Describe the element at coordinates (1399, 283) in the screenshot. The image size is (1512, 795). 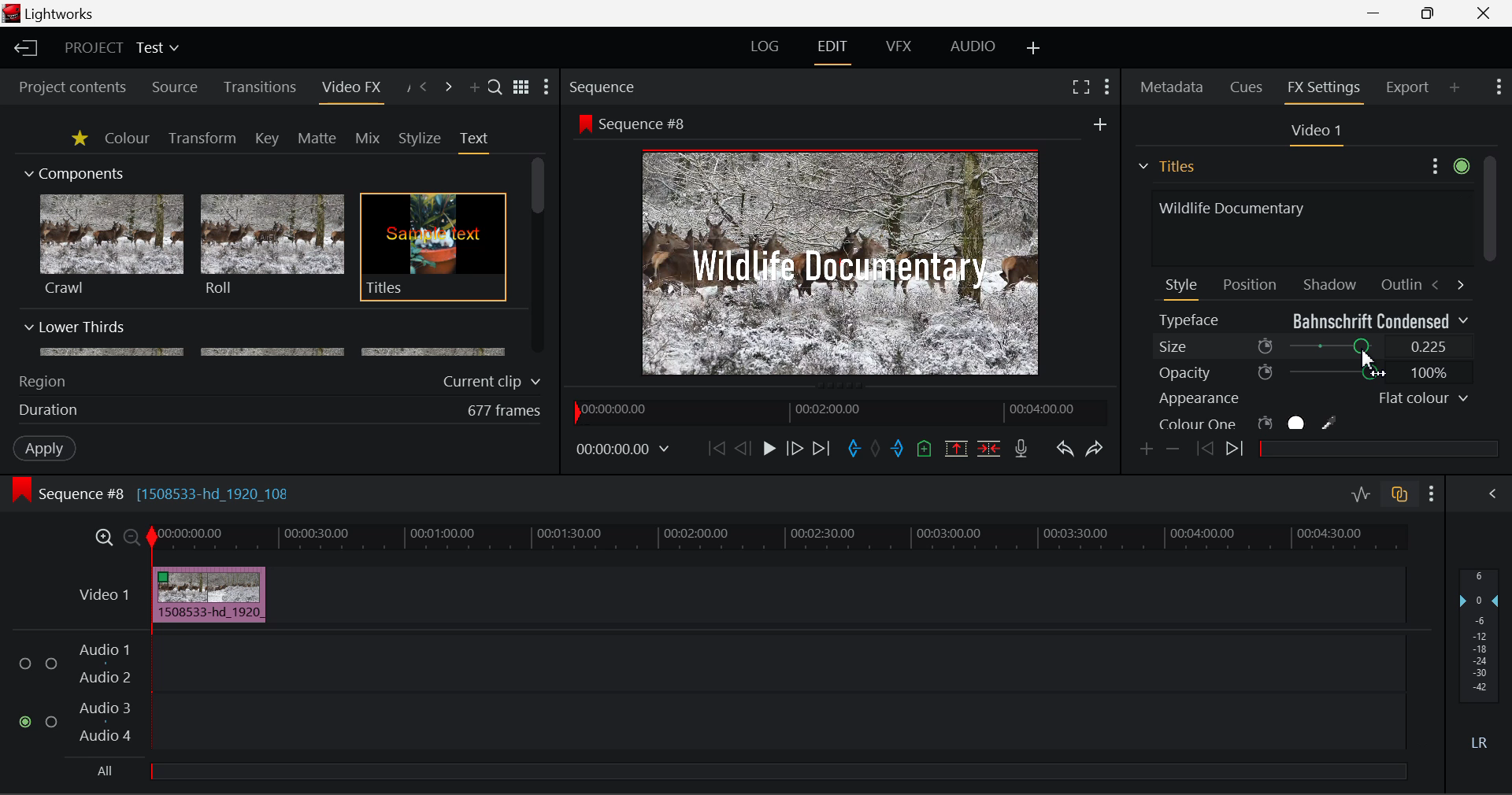
I see `Outline` at that location.